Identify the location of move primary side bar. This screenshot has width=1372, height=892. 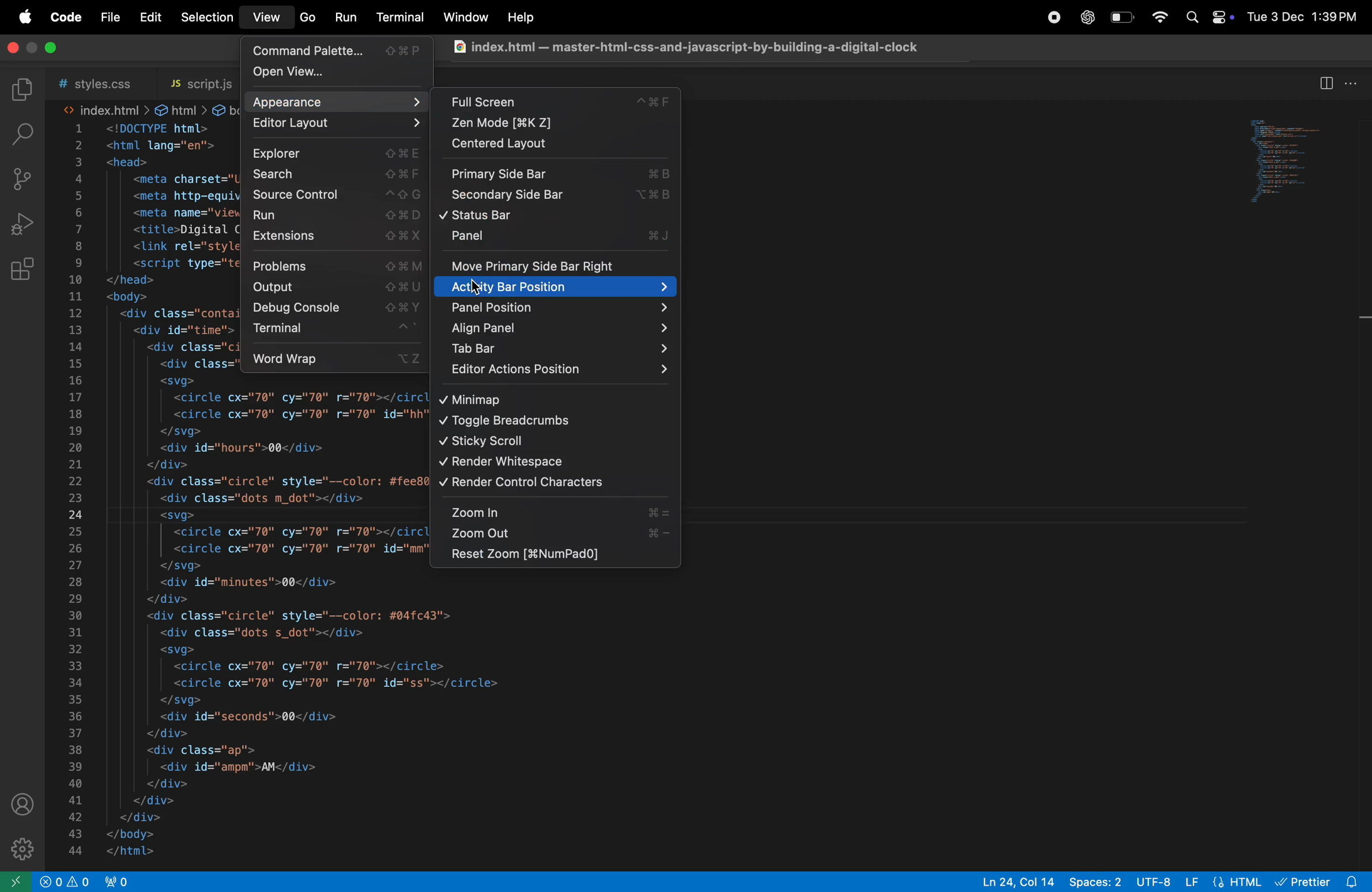
(559, 266).